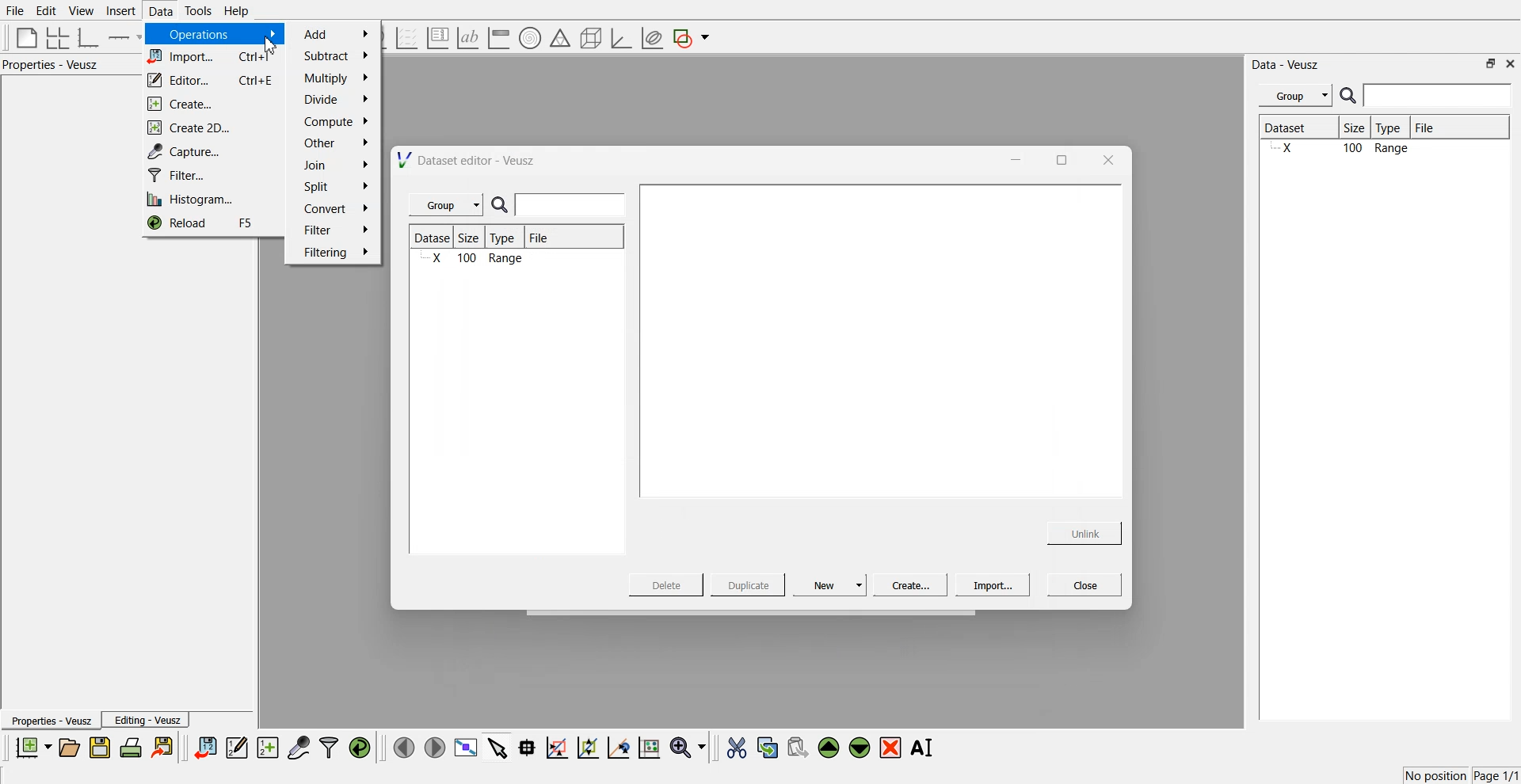  Describe the element at coordinates (47, 10) in the screenshot. I see `Edit` at that location.